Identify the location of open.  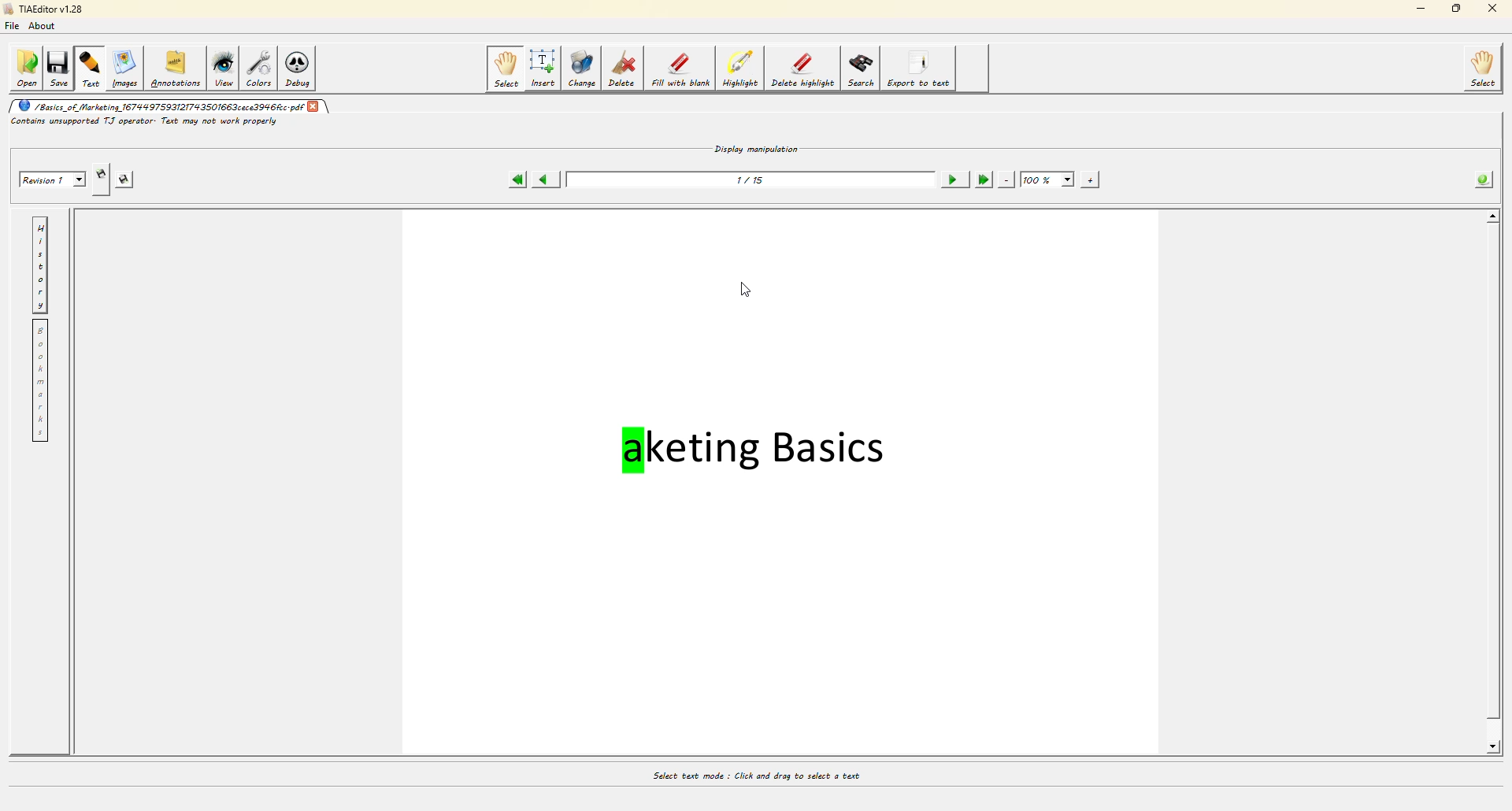
(26, 68).